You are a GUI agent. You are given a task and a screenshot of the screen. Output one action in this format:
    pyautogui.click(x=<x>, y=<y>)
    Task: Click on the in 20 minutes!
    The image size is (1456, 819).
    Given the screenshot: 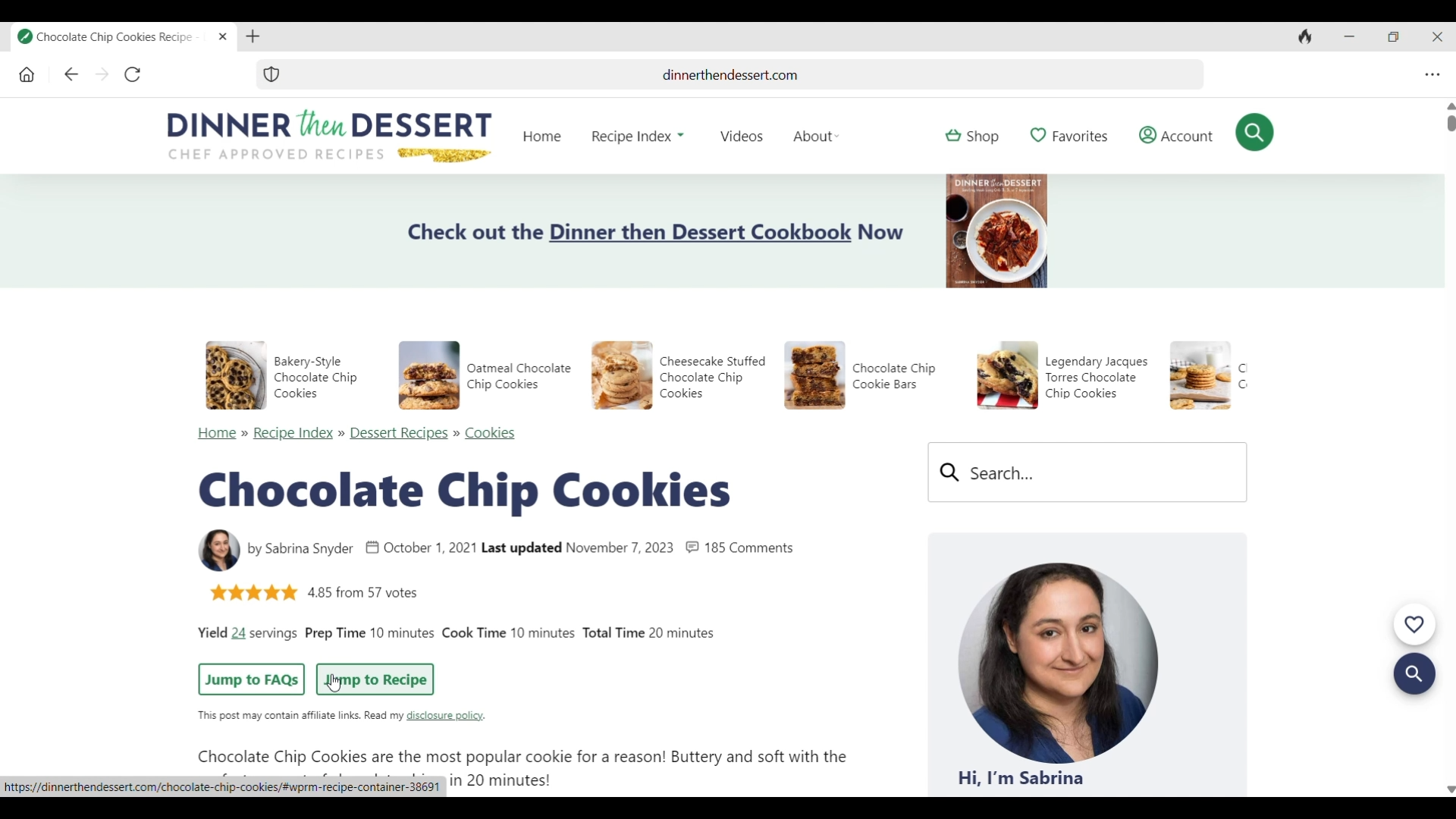 What is the action you would take?
    pyautogui.click(x=500, y=780)
    